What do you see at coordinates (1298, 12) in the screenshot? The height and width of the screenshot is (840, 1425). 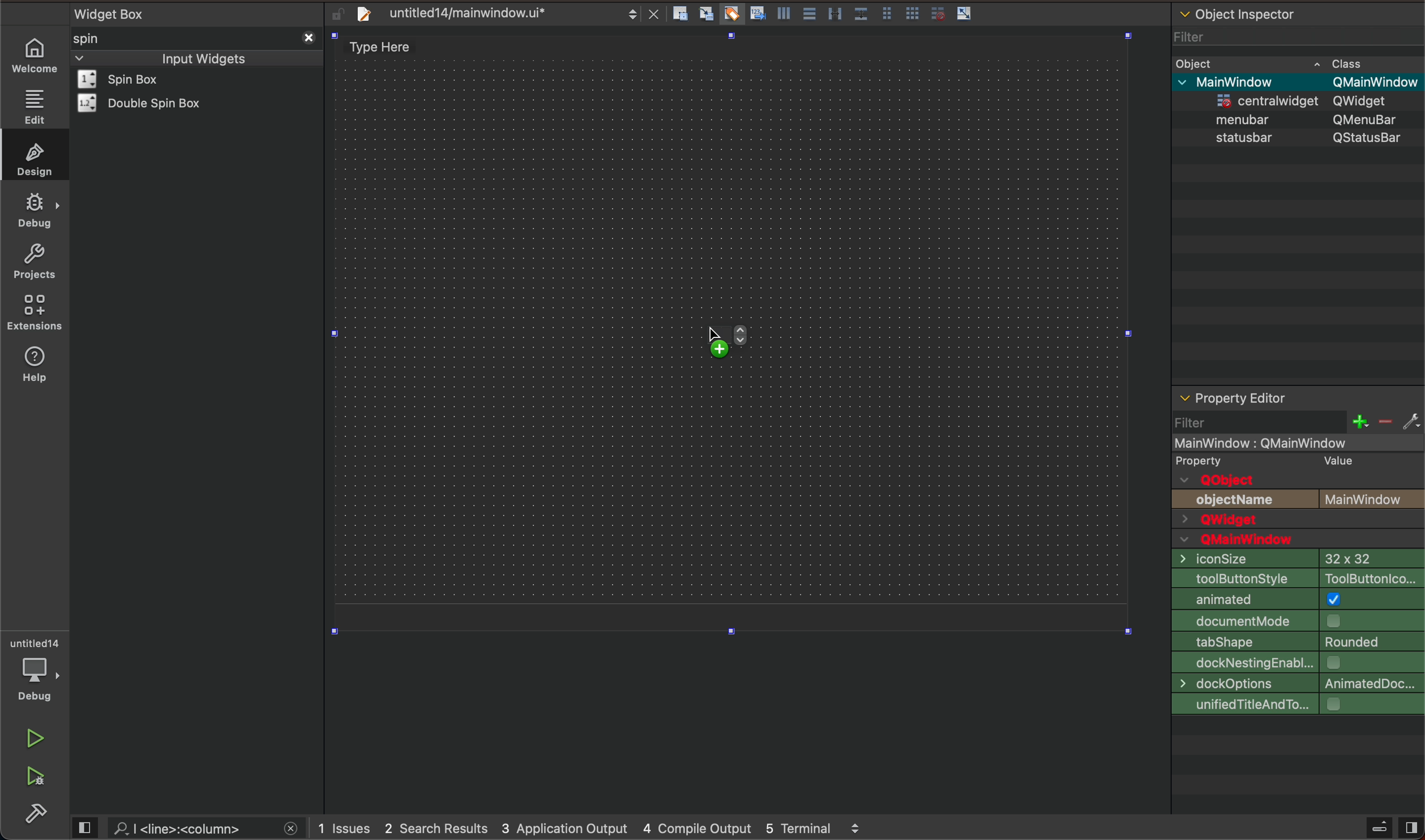 I see `object inspector` at bounding box center [1298, 12].